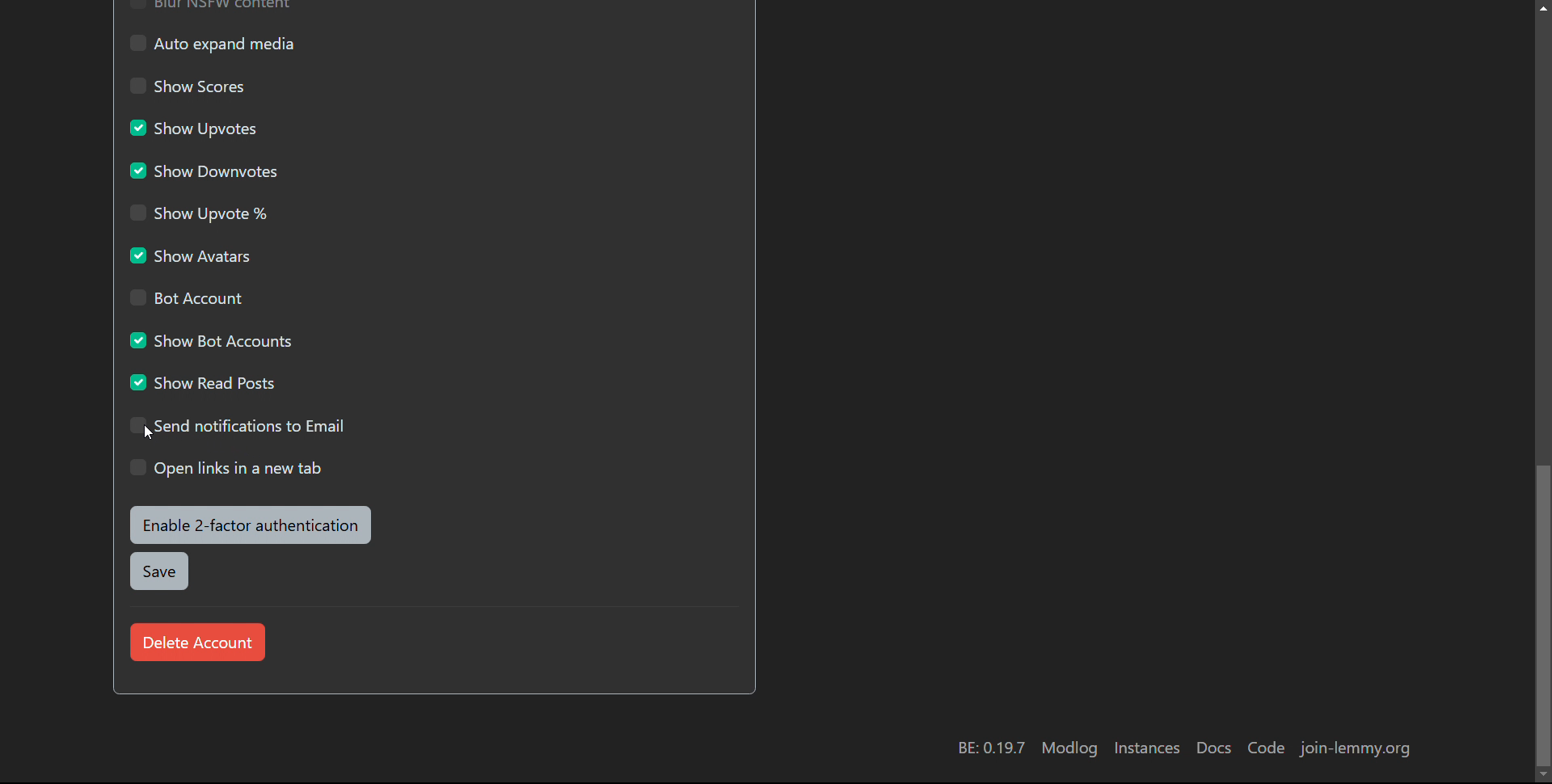 This screenshot has height=784, width=1552. What do you see at coordinates (1212, 748) in the screenshot?
I see `docs` at bounding box center [1212, 748].